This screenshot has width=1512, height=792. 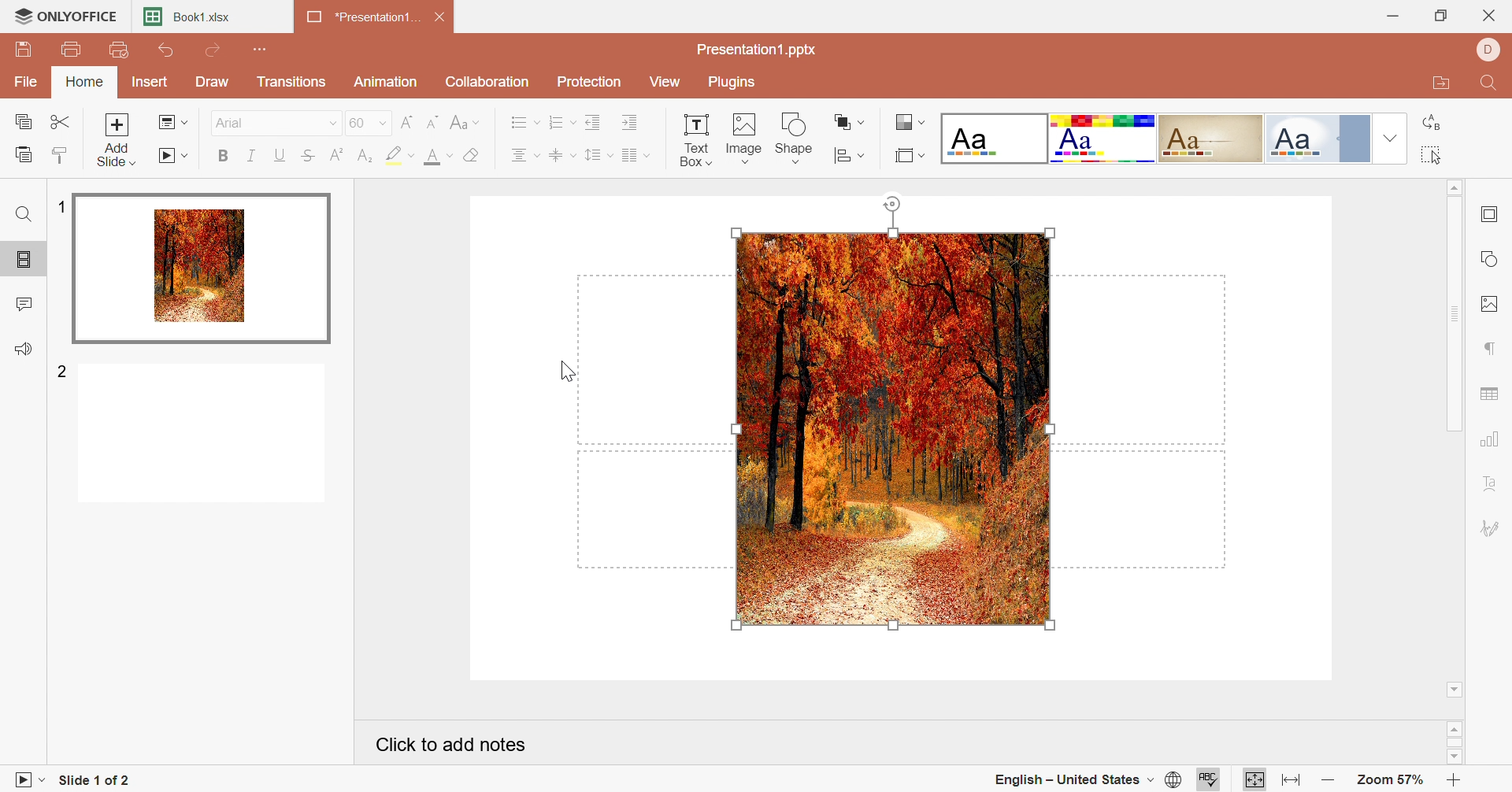 What do you see at coordinates (213, 50) in the screenshot?
I see `Redo` at bounding box center [213, 50].